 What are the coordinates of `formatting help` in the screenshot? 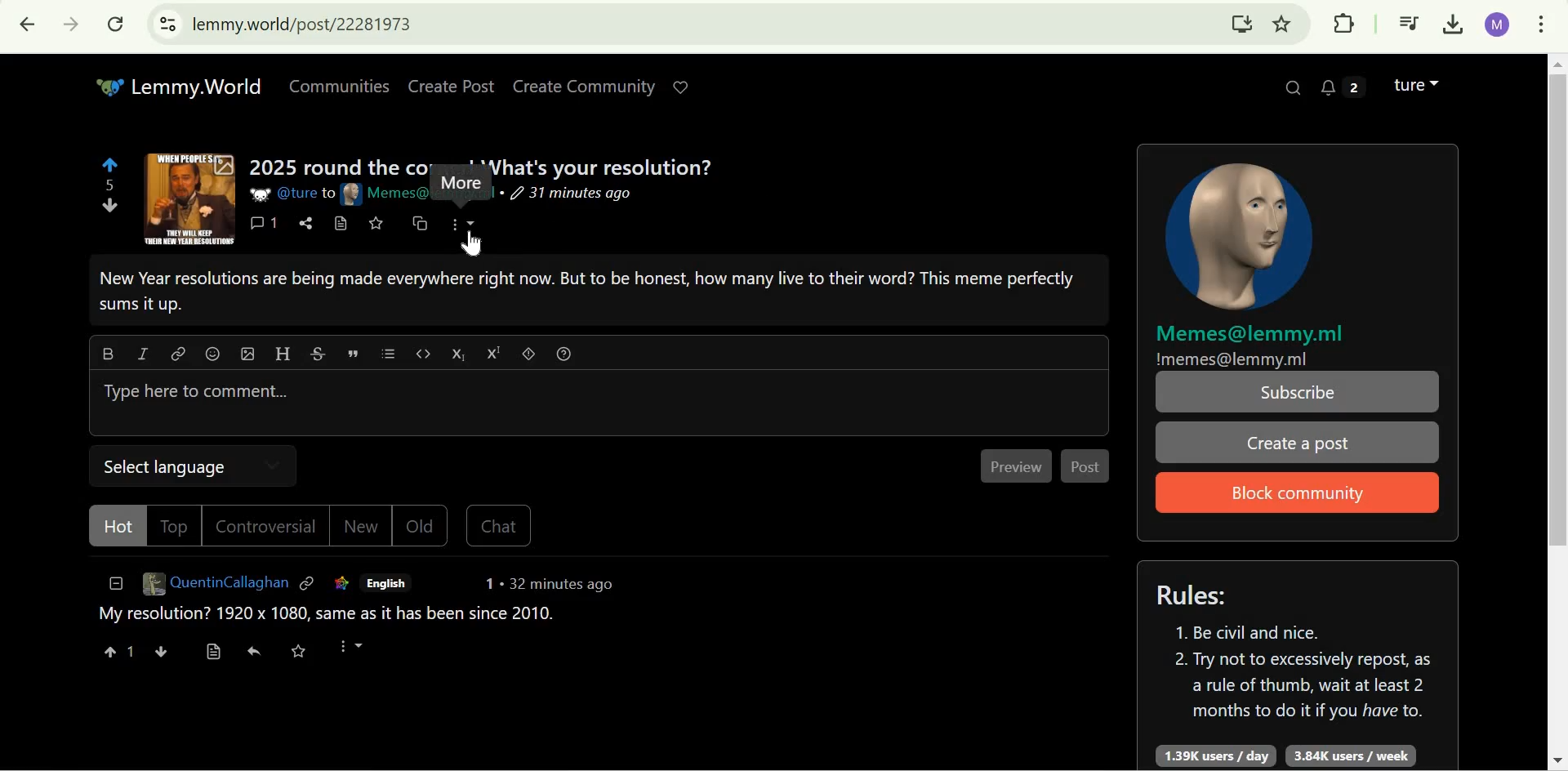 It's located at (565, 351).